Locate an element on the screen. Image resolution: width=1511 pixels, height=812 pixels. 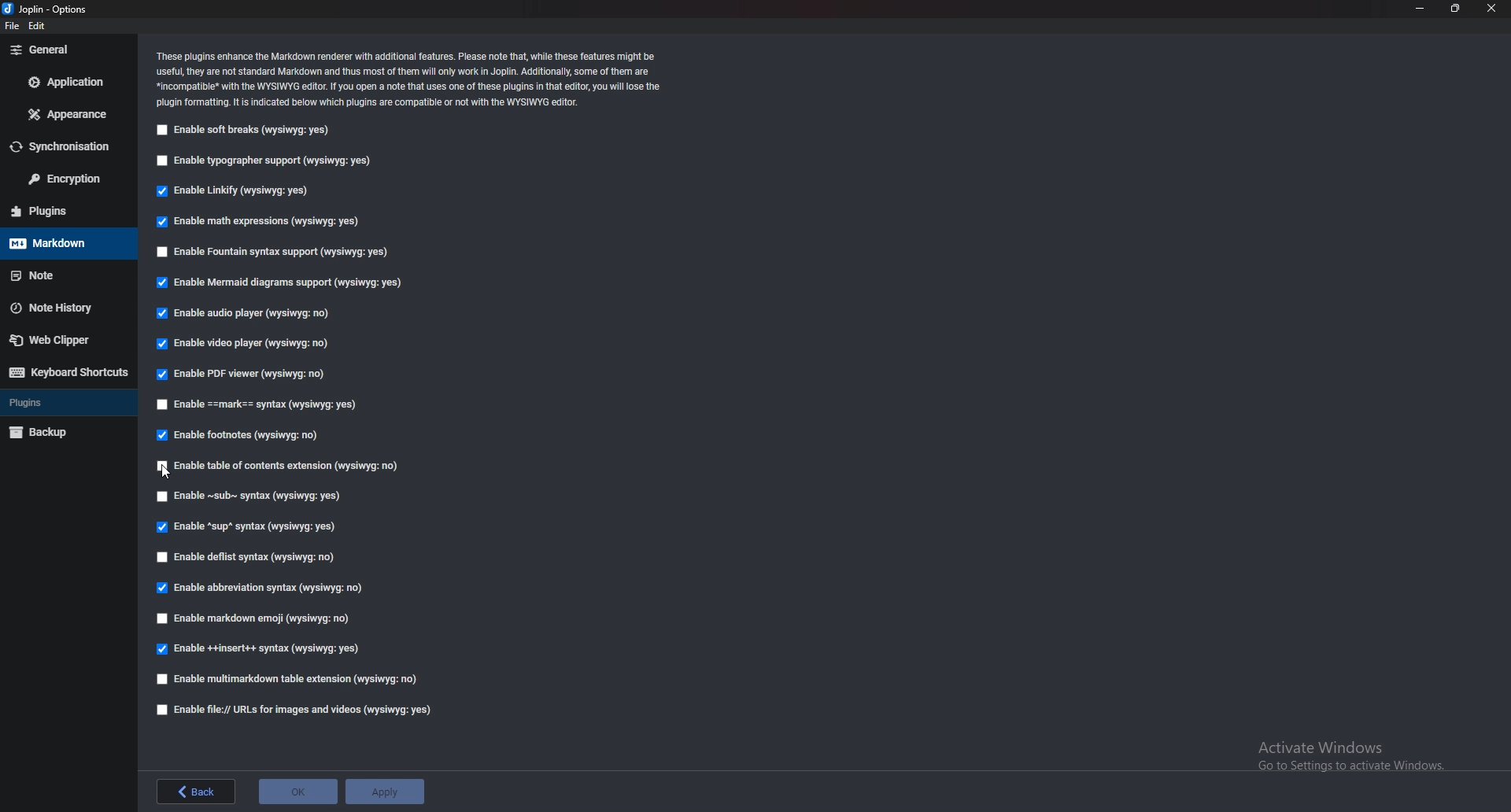
Enable typographer support is located at coordinates (272, 160).